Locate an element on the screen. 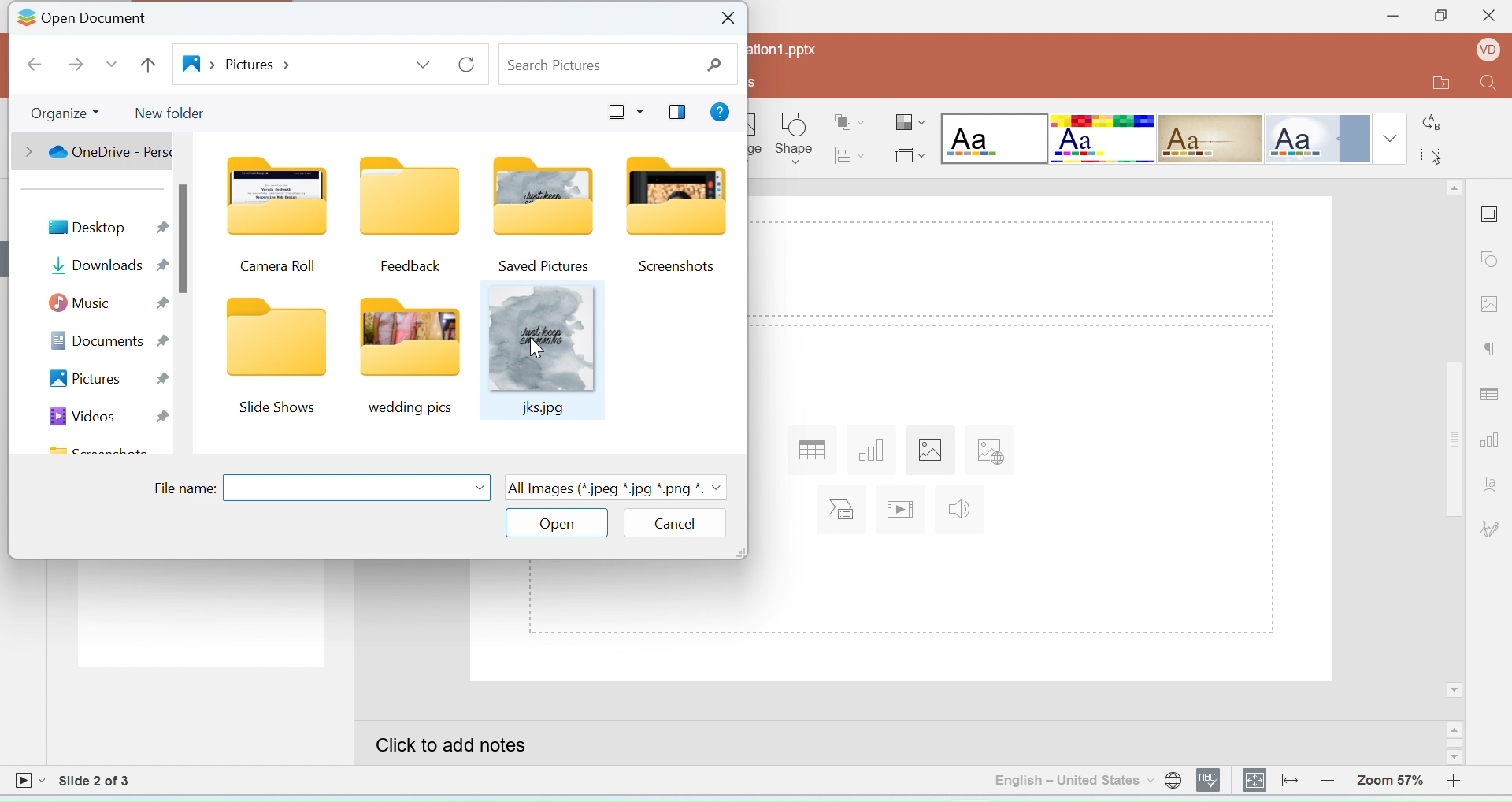 The image size is (1512, 802). Signature settings is located at coordinates (1492, 528).